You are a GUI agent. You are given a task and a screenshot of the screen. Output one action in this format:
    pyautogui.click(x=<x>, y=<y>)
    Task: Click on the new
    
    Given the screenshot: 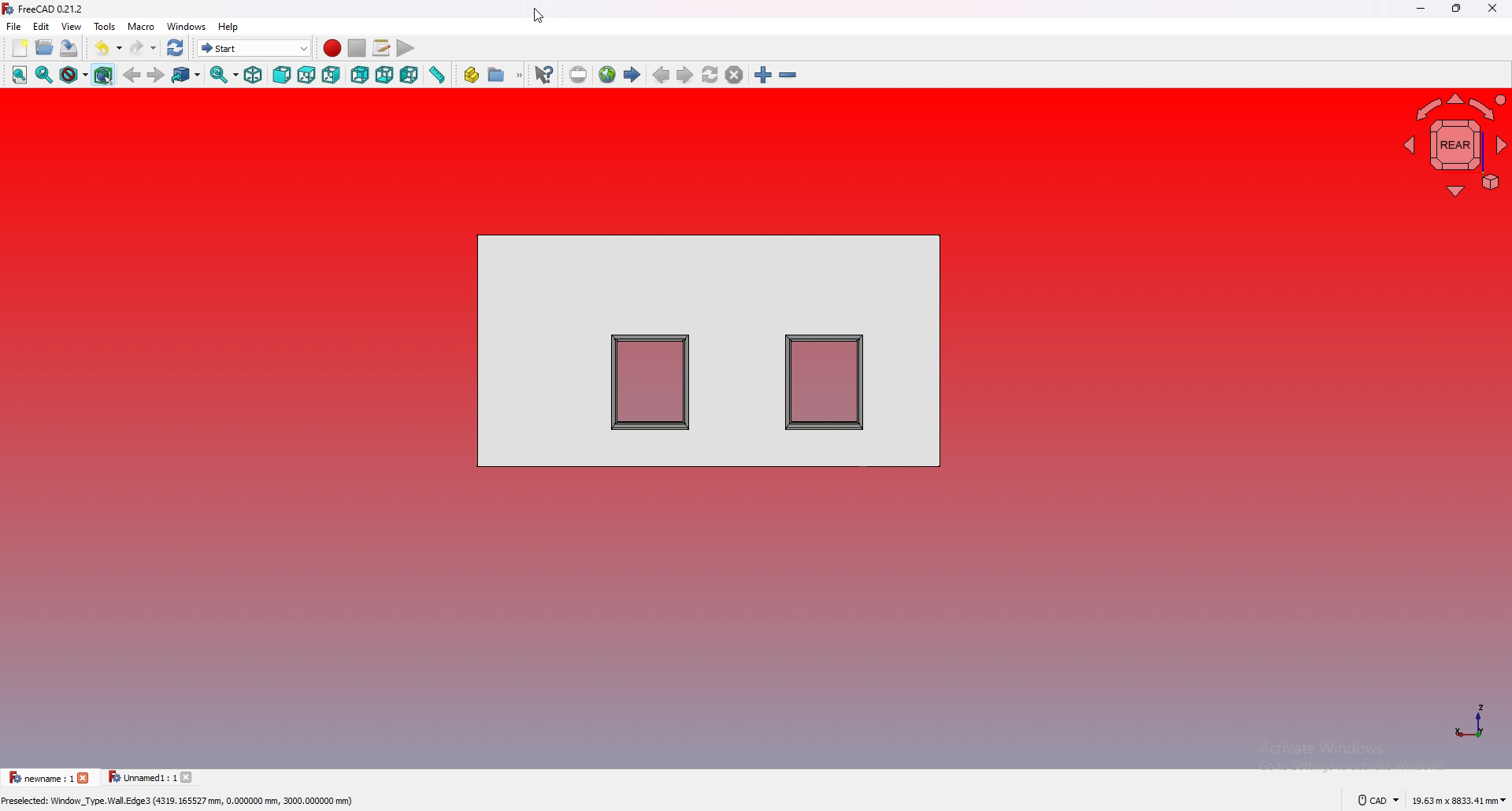 What is the action you would take?
    pyautogui.click(x=20, y=48)
    